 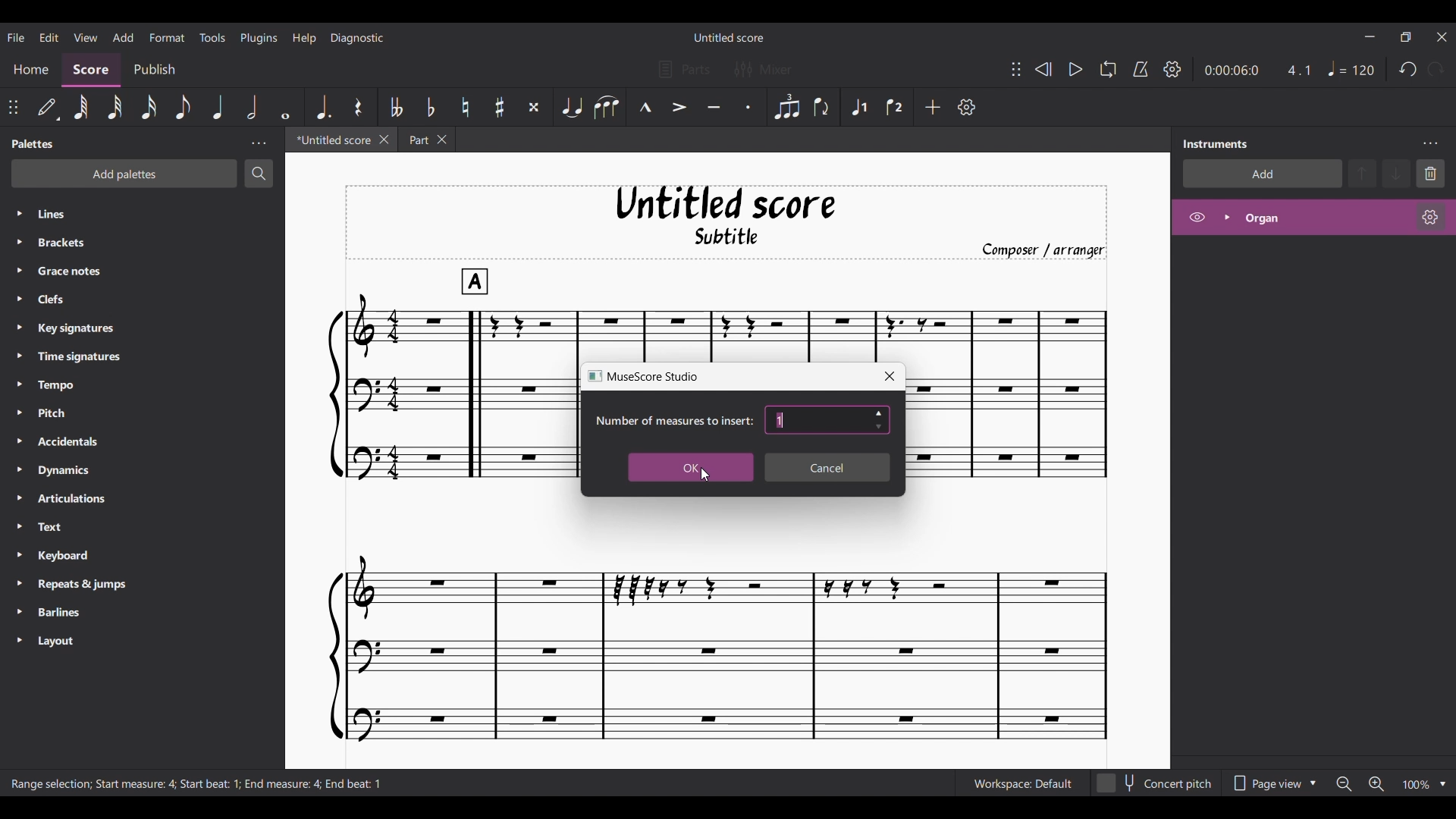 I want to click on Text box to input number of measures, so click(x=817, y=420).